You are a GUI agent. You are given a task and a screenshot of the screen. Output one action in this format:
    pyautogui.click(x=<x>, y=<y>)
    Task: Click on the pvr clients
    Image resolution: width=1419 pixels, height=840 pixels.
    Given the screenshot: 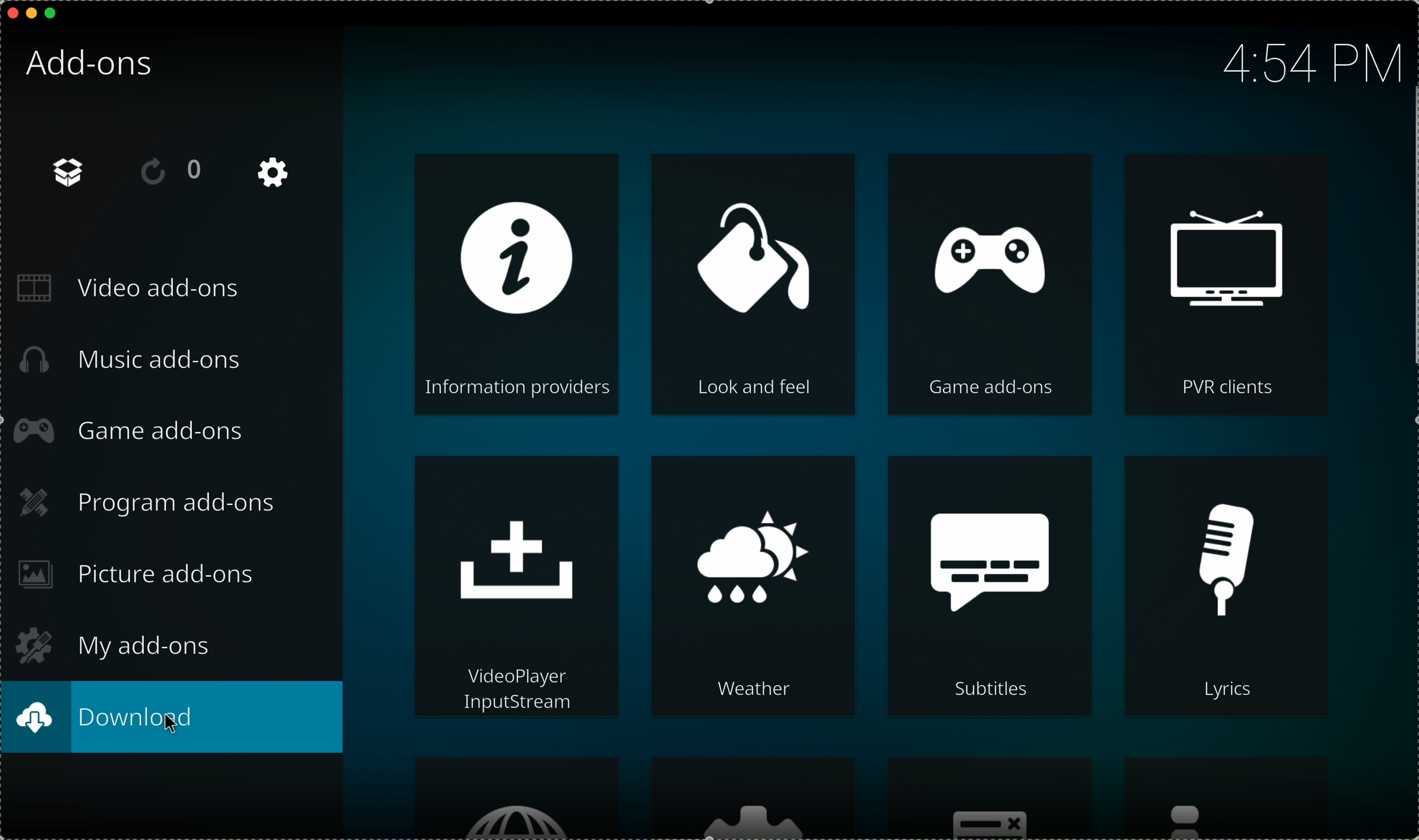 What is the action you would take?
    pyautogui.click(x=1228, y=284)
    